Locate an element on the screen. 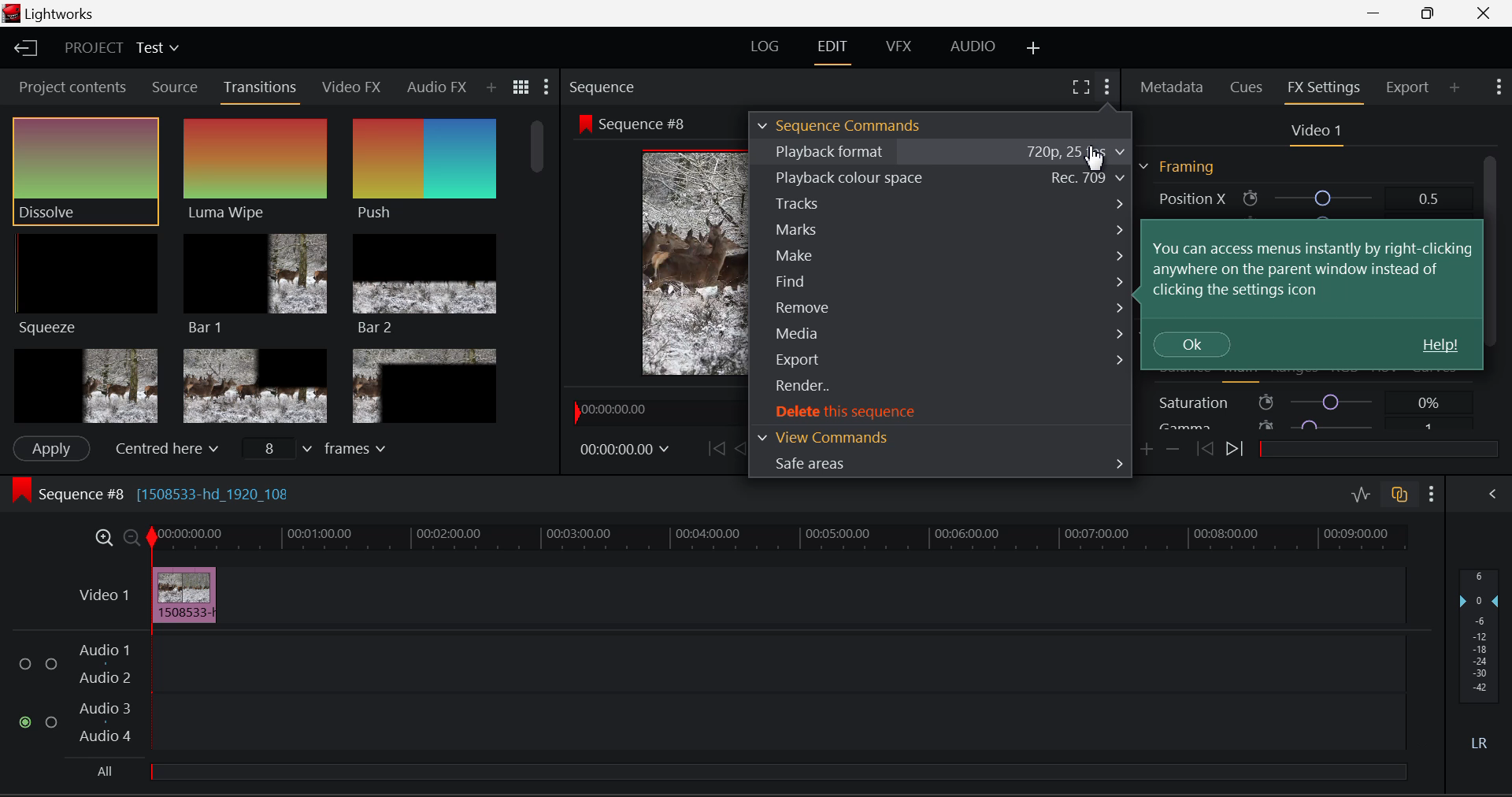 This screenshot has width=1512, height=797. Delete this sequence is located at coordinates (942, 412).